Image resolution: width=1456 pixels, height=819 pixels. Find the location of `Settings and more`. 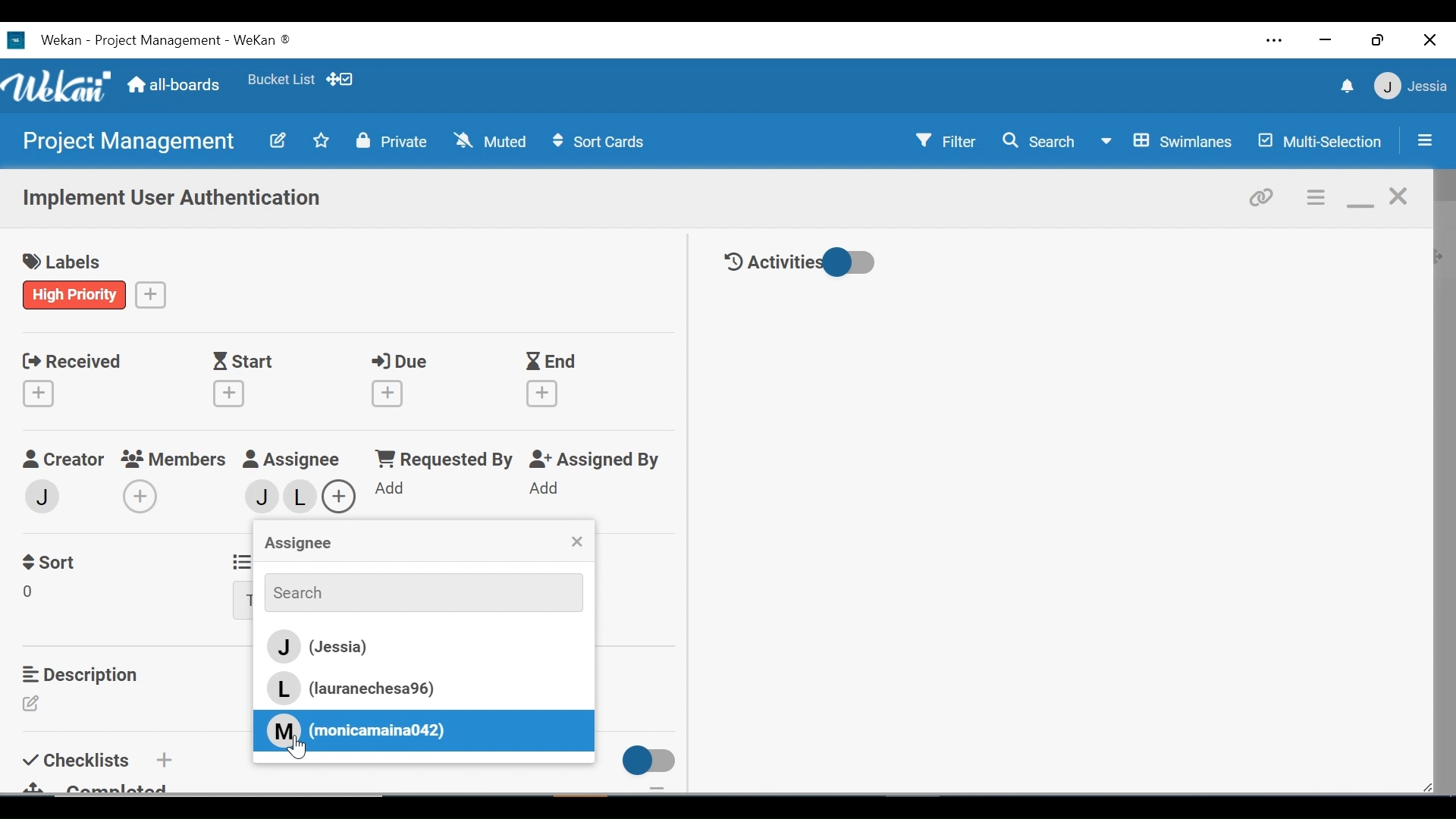

Settings and more is located at coordinates (1276, 42).